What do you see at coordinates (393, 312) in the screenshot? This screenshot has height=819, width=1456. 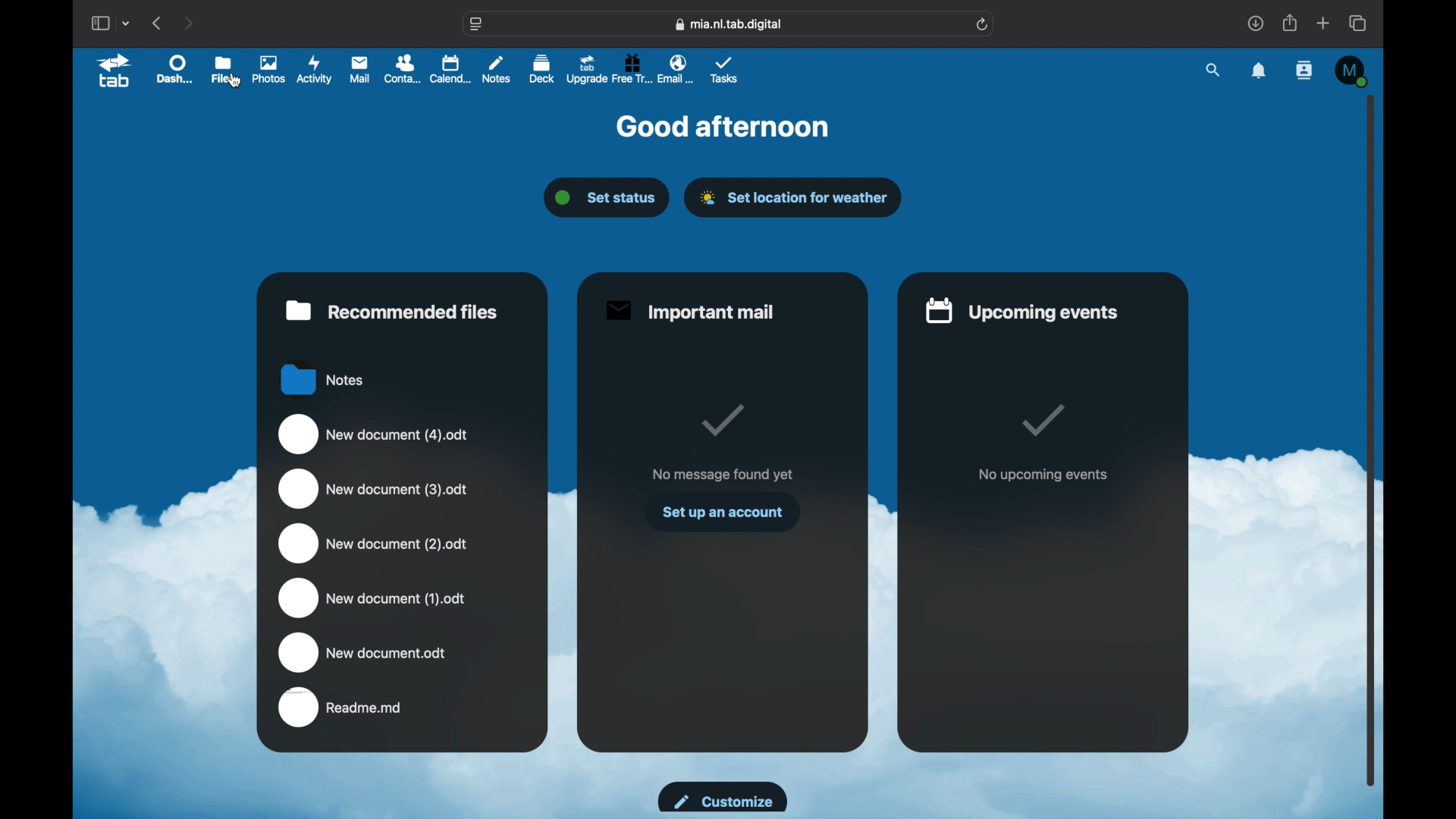 I see `recommended files` at bounding box center [393, 312].